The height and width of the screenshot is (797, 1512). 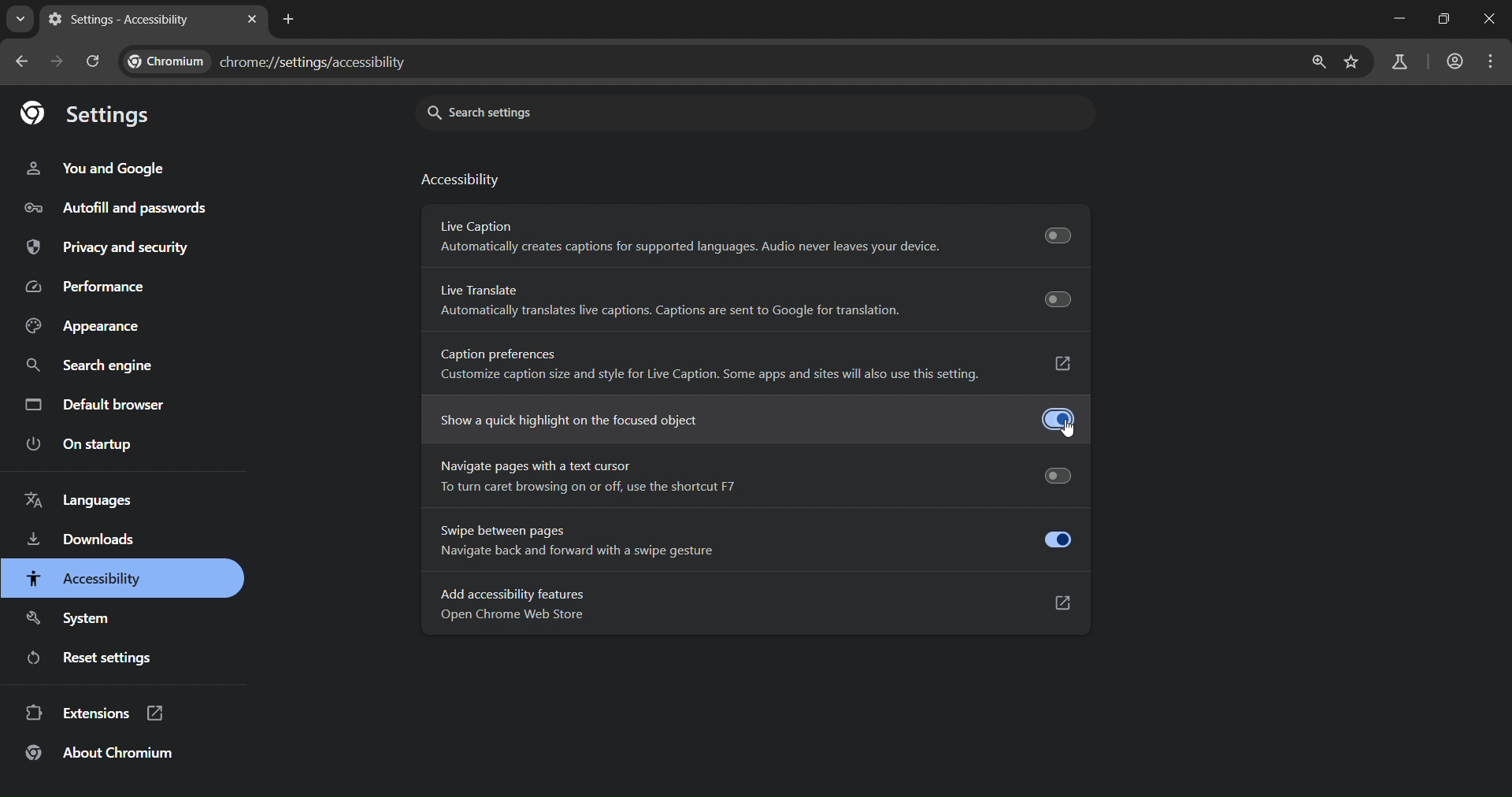 What do you see at coordinates (83, 499) in the screenshot?
I see `languages` at bounding box center [83, 499].